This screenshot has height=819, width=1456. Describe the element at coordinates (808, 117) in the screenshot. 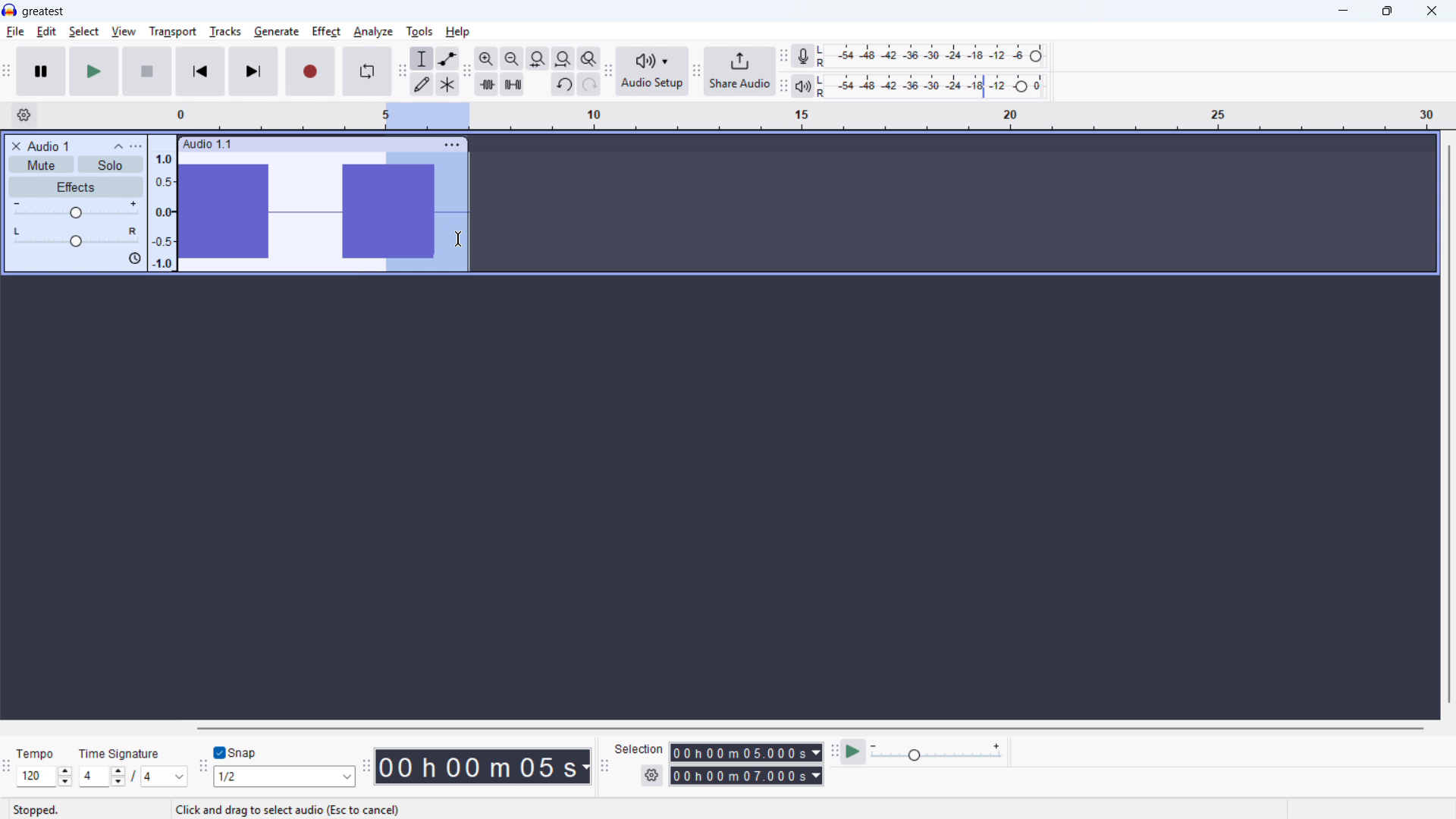

I see `Timeline ` at that location.